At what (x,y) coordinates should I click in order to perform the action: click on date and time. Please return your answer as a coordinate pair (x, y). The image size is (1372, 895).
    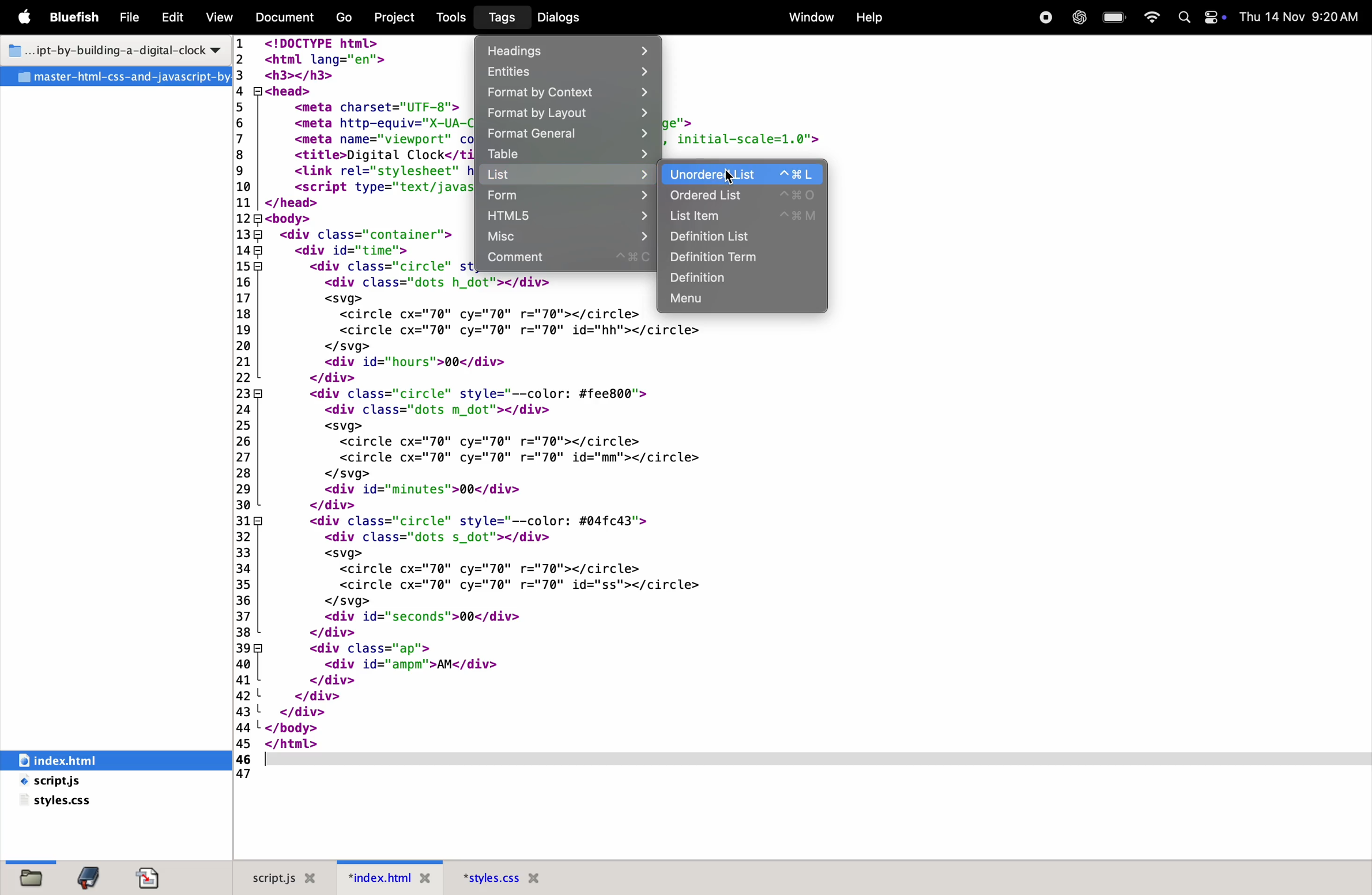
    Looking at the image, I should click on (1299, 16).